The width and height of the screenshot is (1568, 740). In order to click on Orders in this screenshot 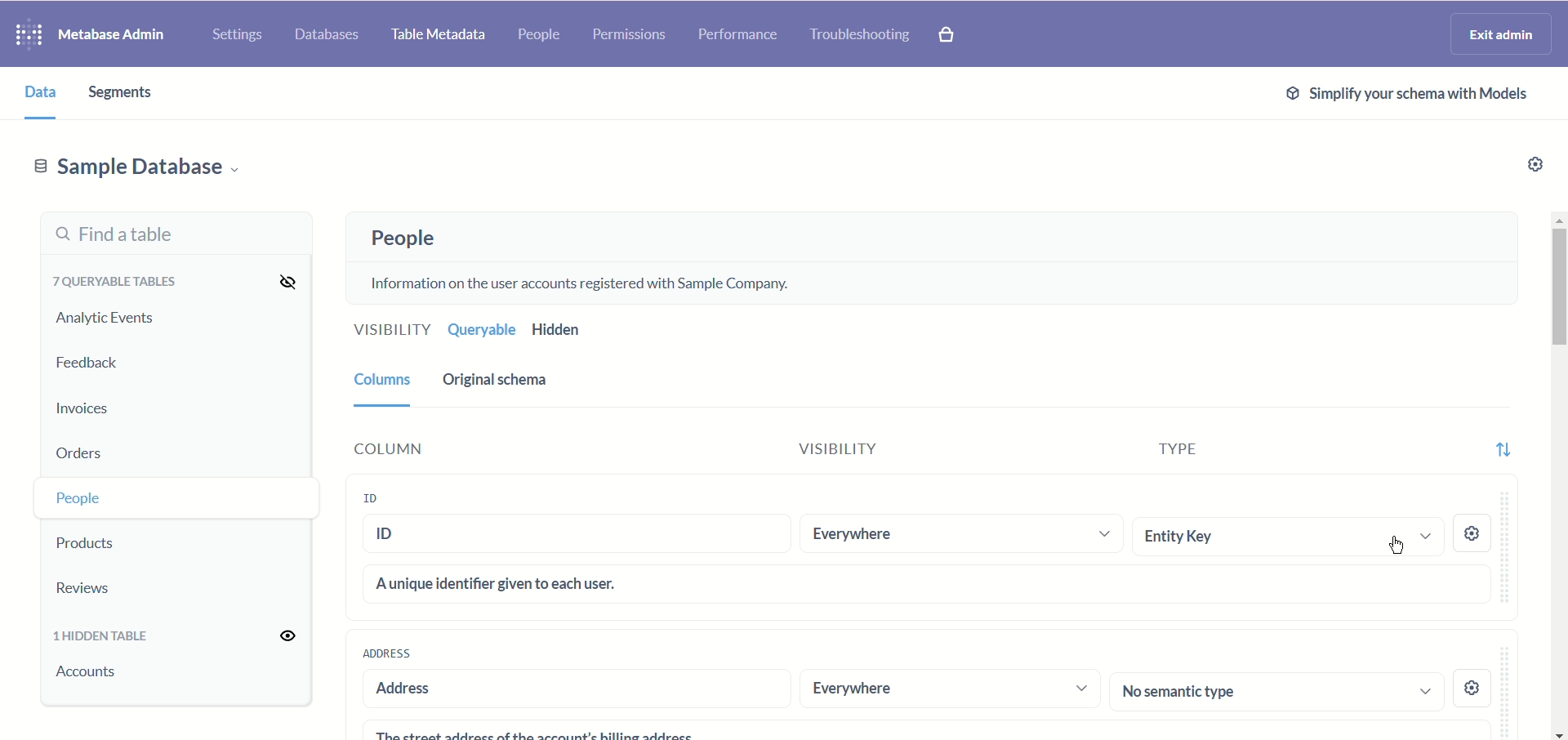, I will do `click(111, 449)`.